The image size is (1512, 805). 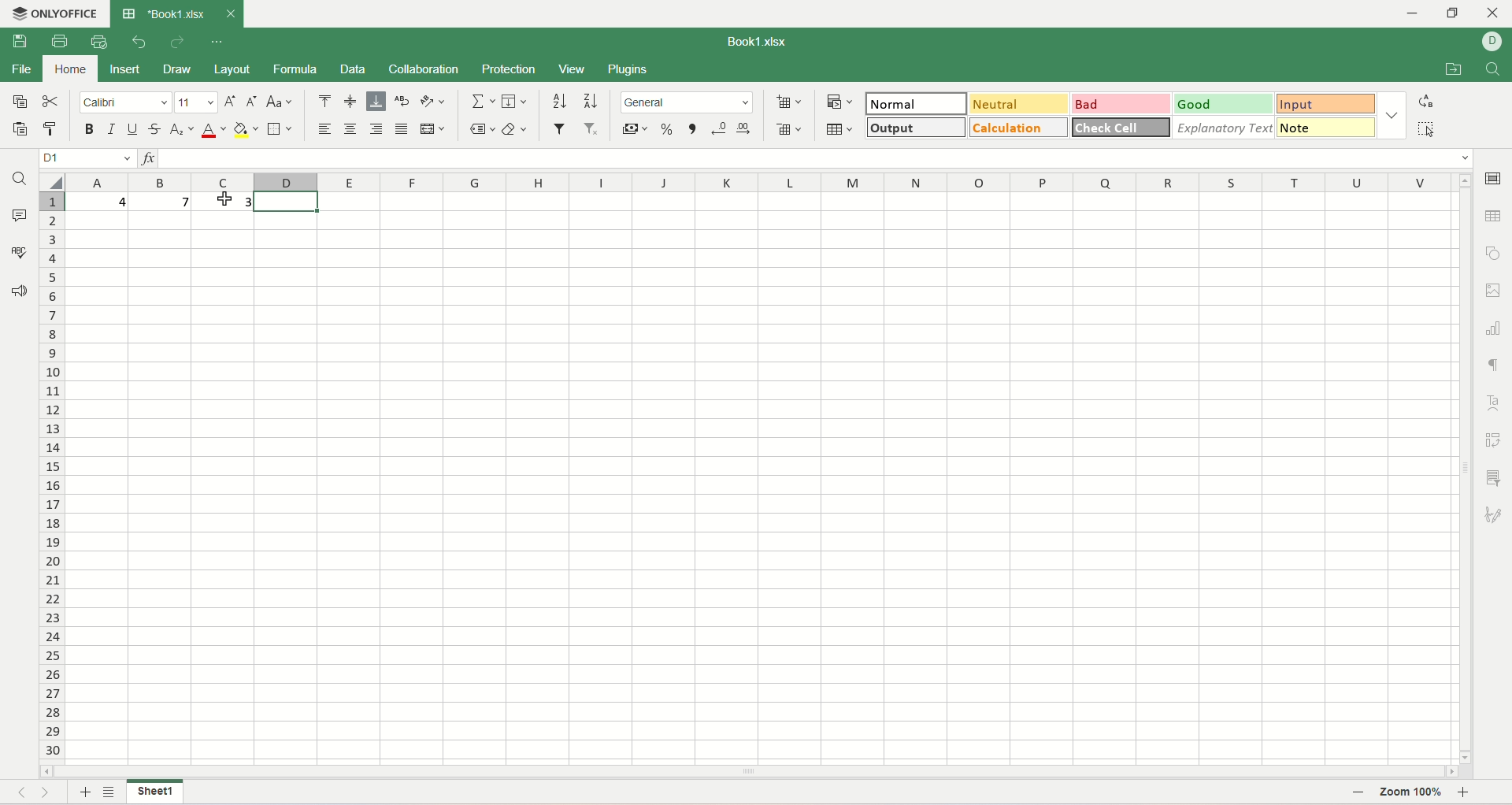 What do you see at coordinates (54, 181) in the screenshot?
I see `select all` at bounding box center [54, 181].